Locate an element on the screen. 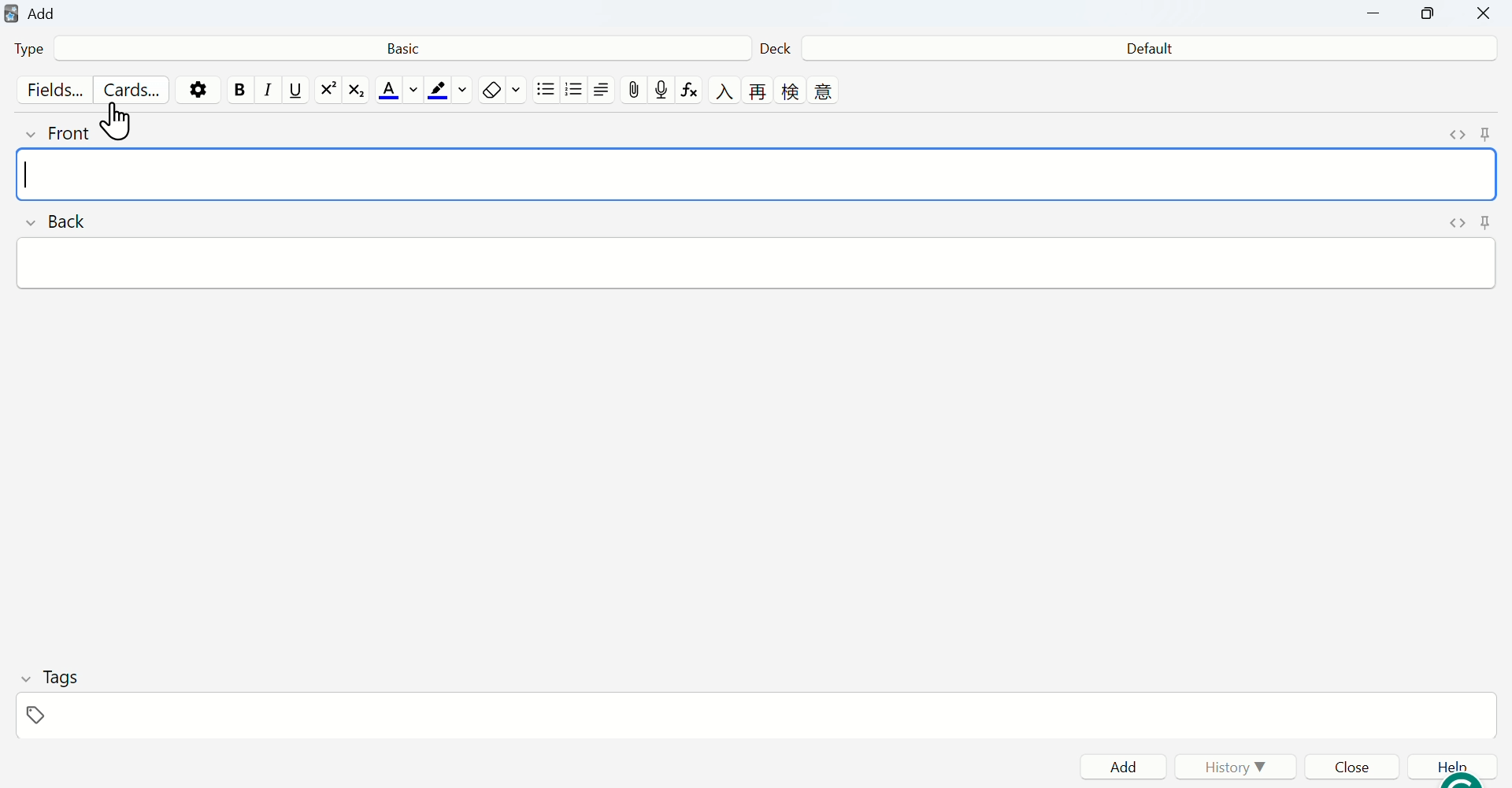  Close is located at coordinates (1351, 767).